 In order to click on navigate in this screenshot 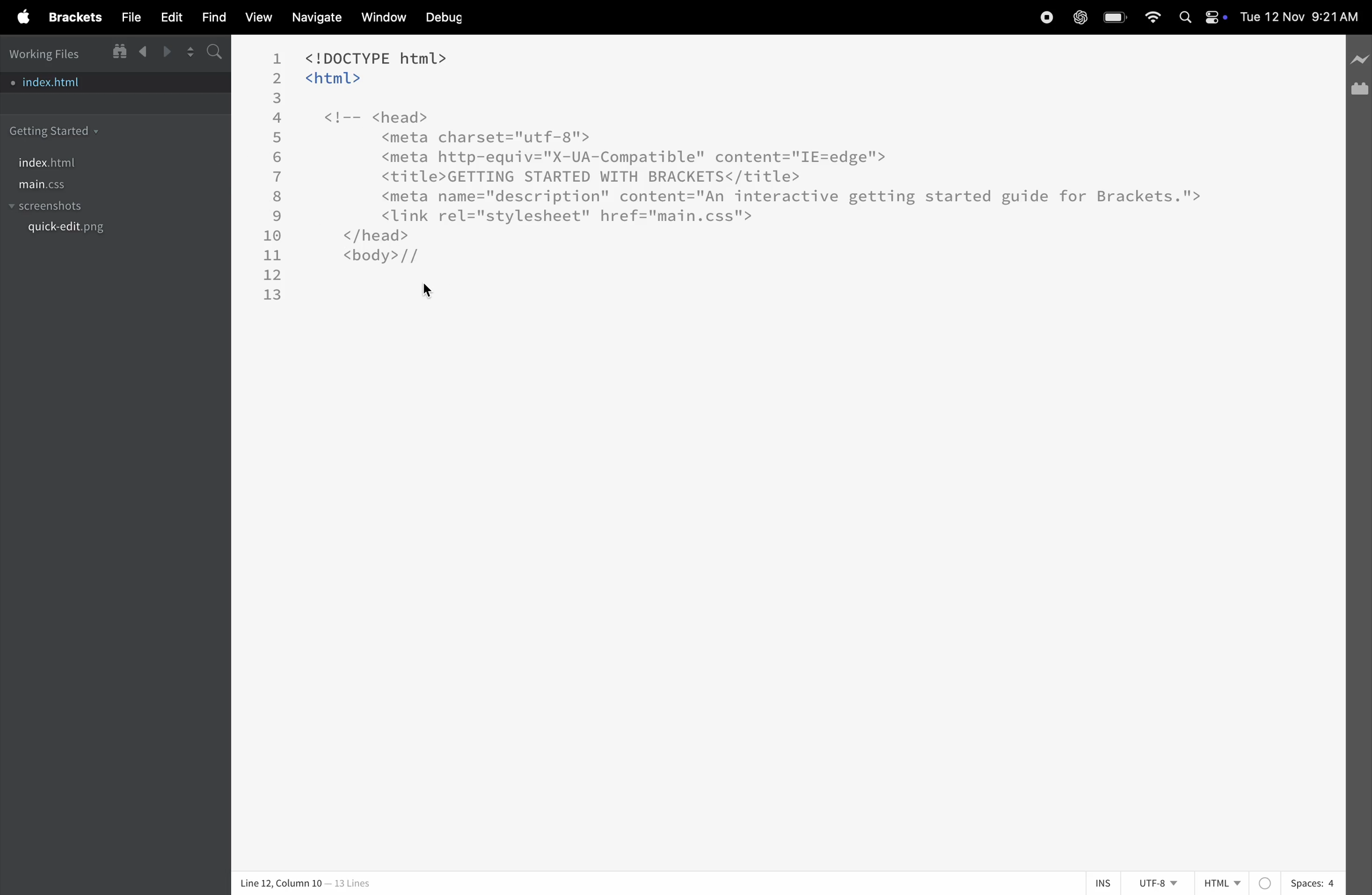, I will do `click(314, 19)`.